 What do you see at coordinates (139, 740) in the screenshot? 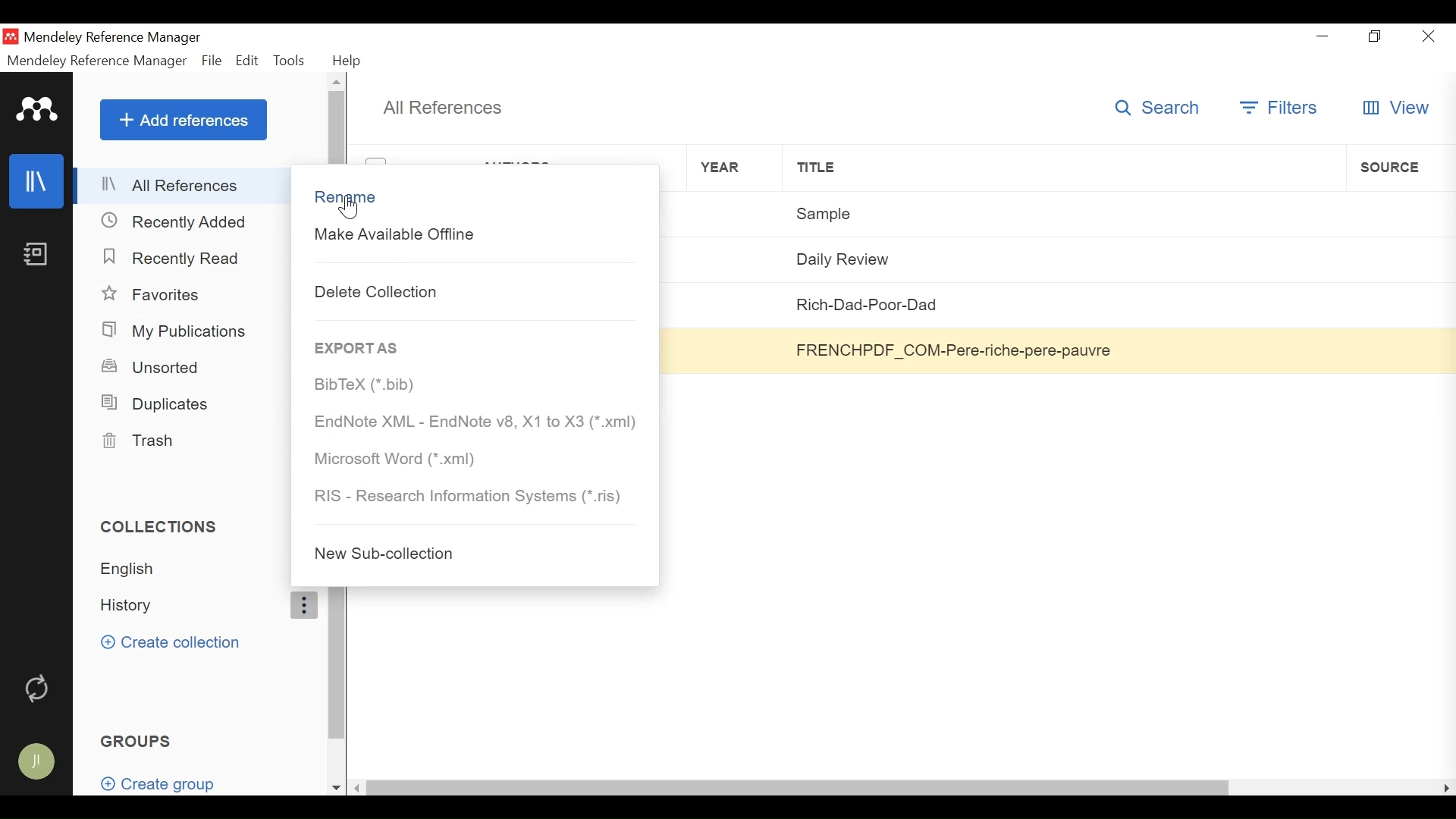
I see `Groups` at bounding box center [139, 740].